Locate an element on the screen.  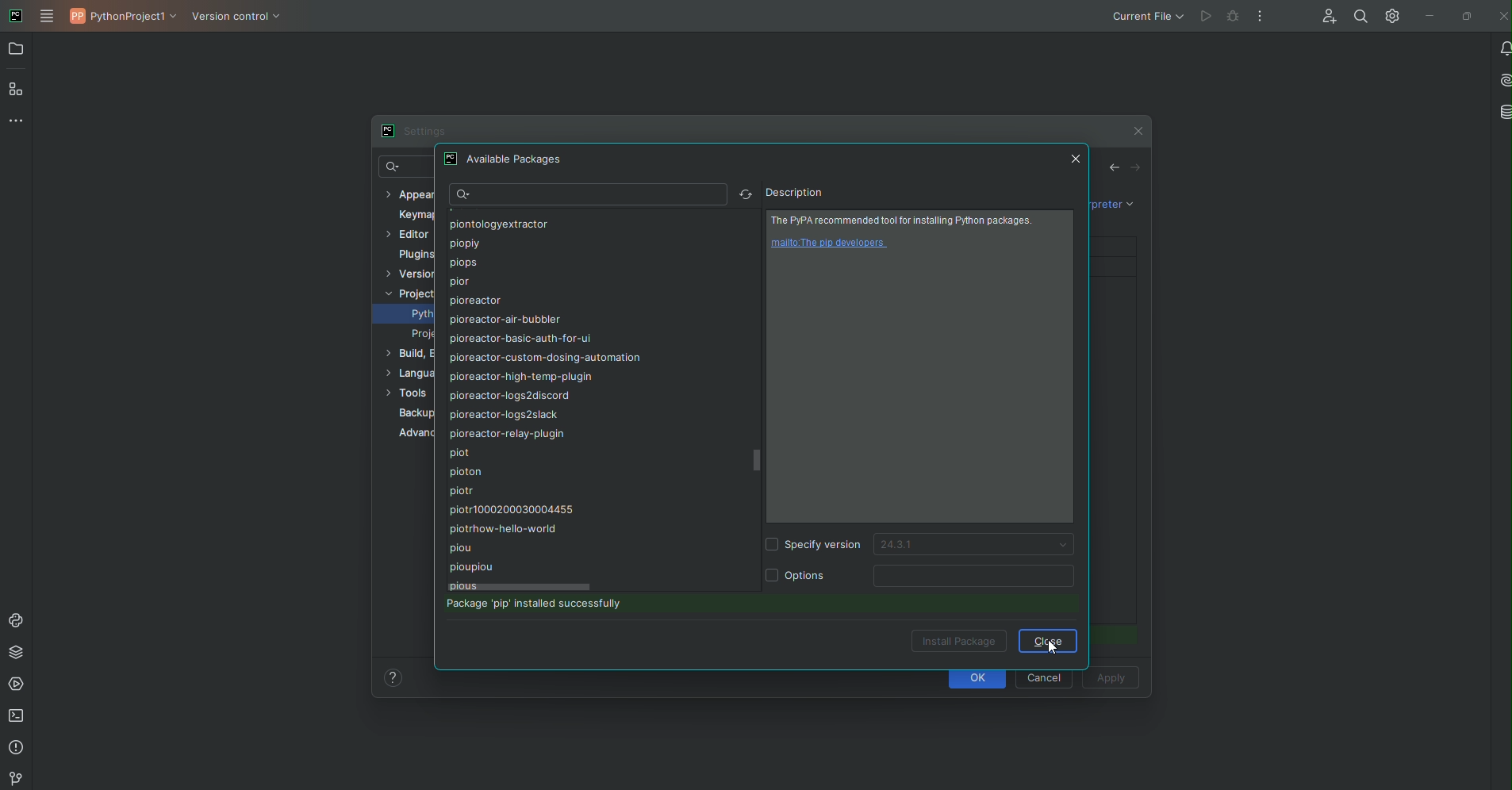
Project is located at coordinates (408, 292).